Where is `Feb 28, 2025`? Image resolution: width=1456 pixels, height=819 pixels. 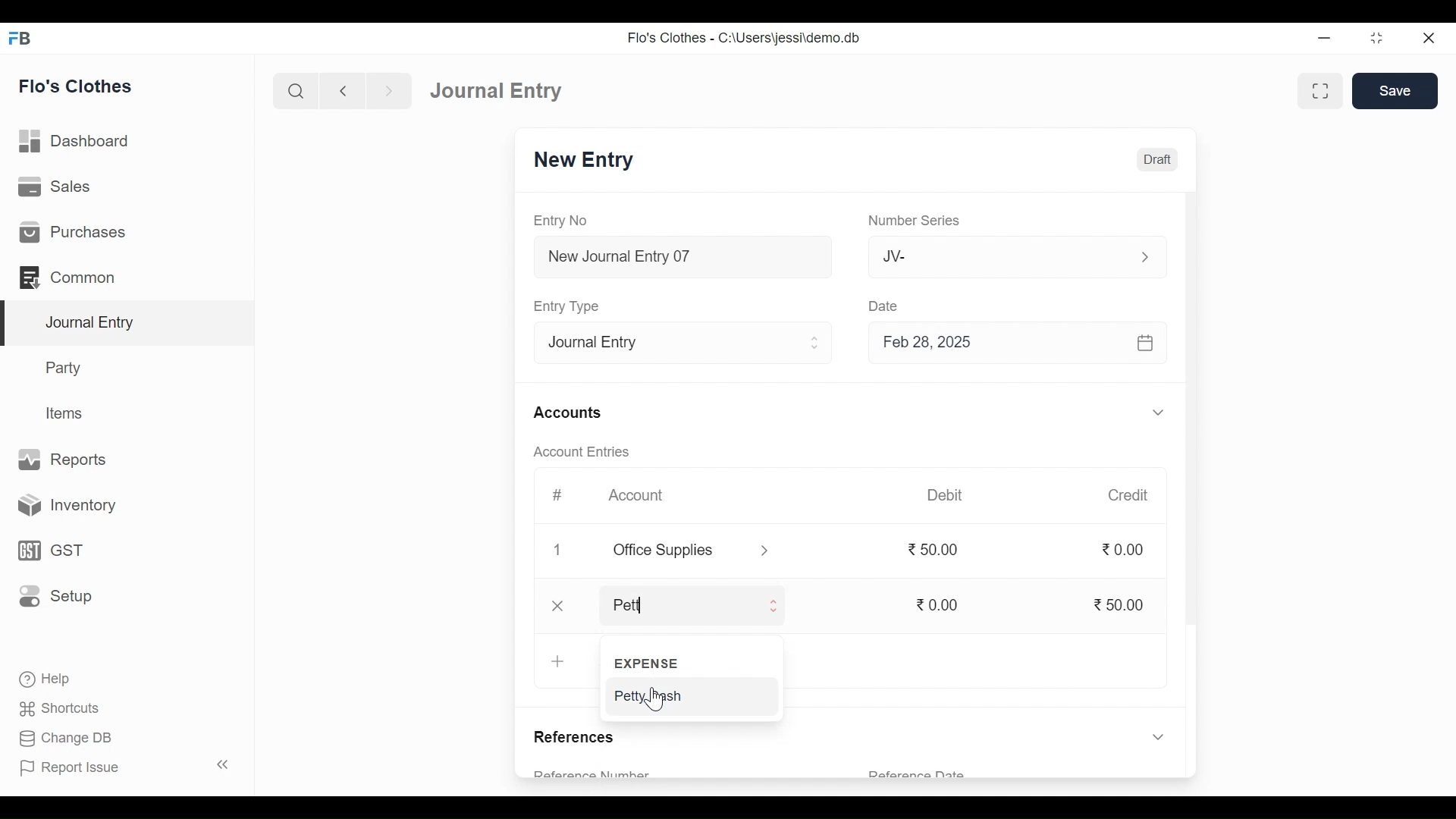
Feb 28, 2025 is located at coordinates (1011, 345).